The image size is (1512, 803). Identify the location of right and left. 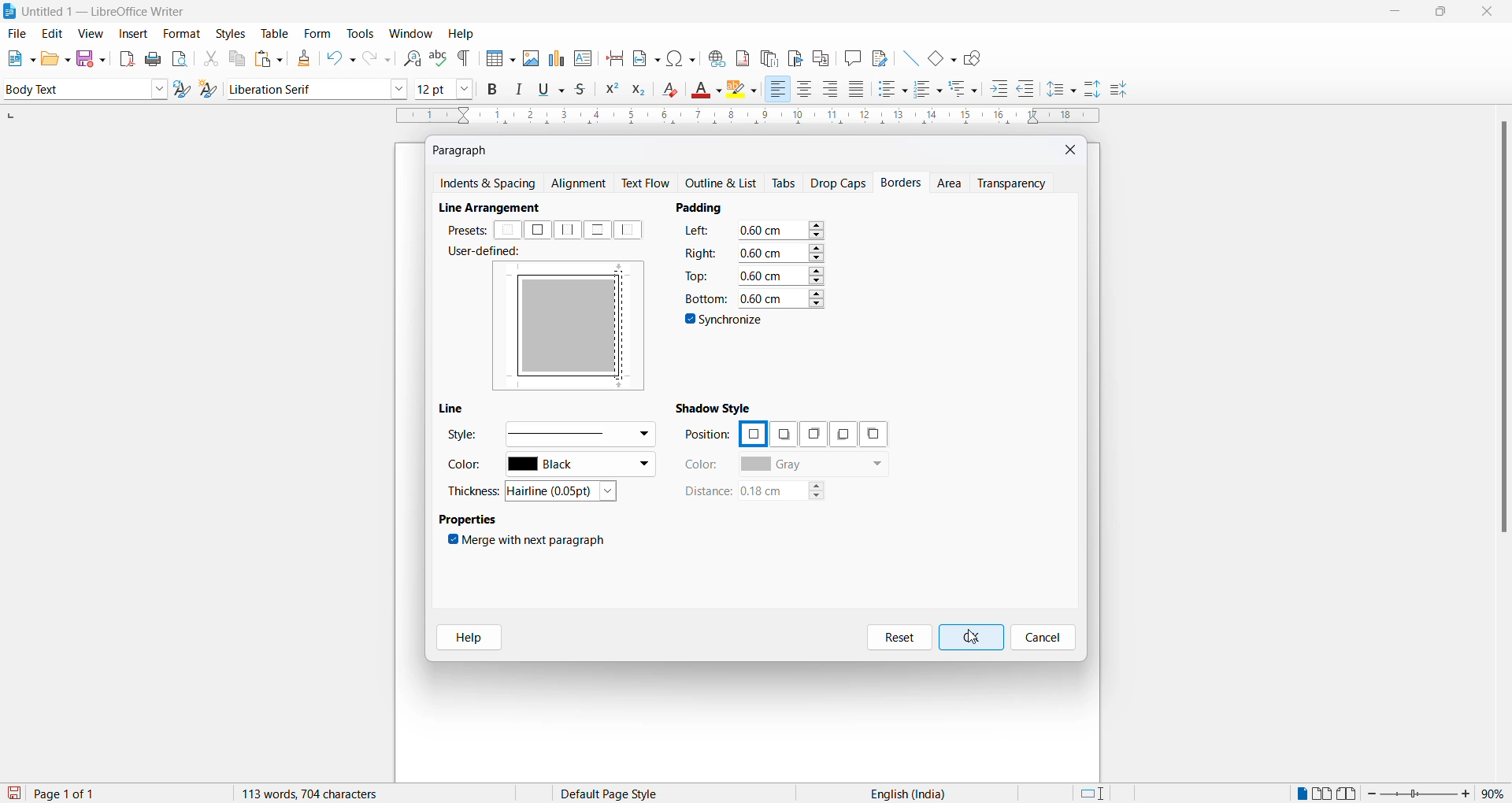
(569, 230).